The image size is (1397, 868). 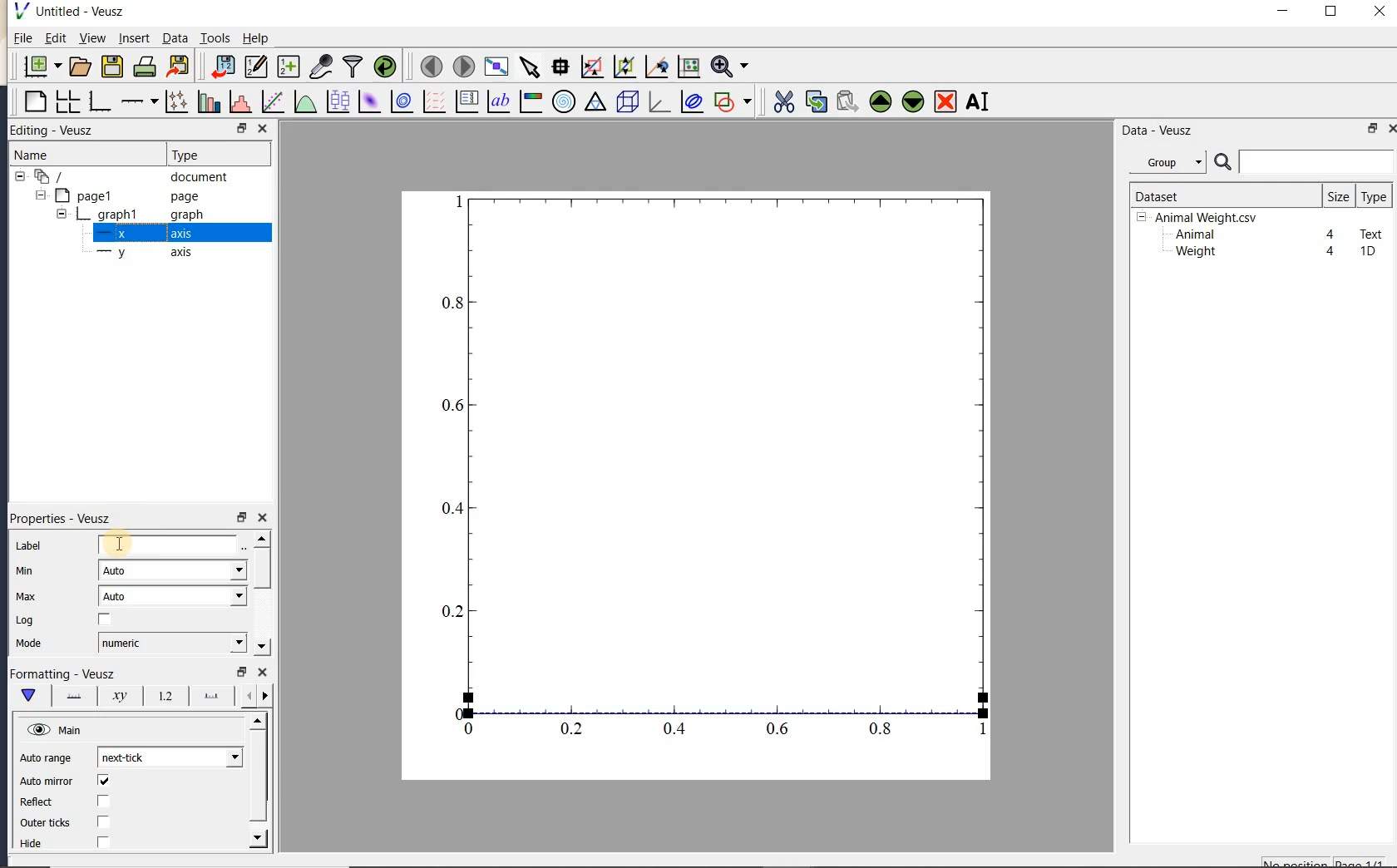 What do you see at coordinates (134, 37) in the screenshot?
I see `insert` at bounding box center [134, 37].